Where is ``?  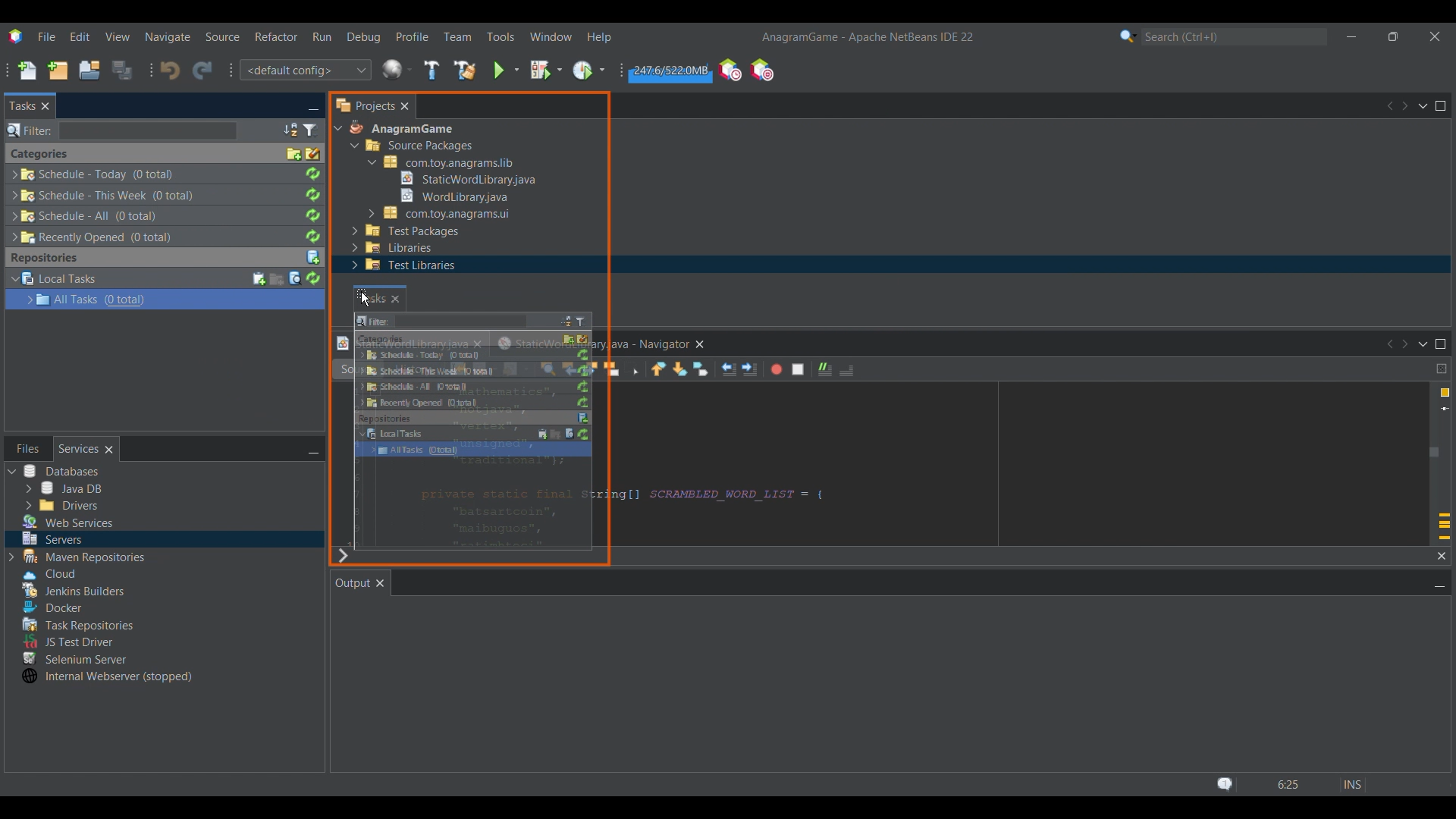
 is located at coordinates (94, 174).